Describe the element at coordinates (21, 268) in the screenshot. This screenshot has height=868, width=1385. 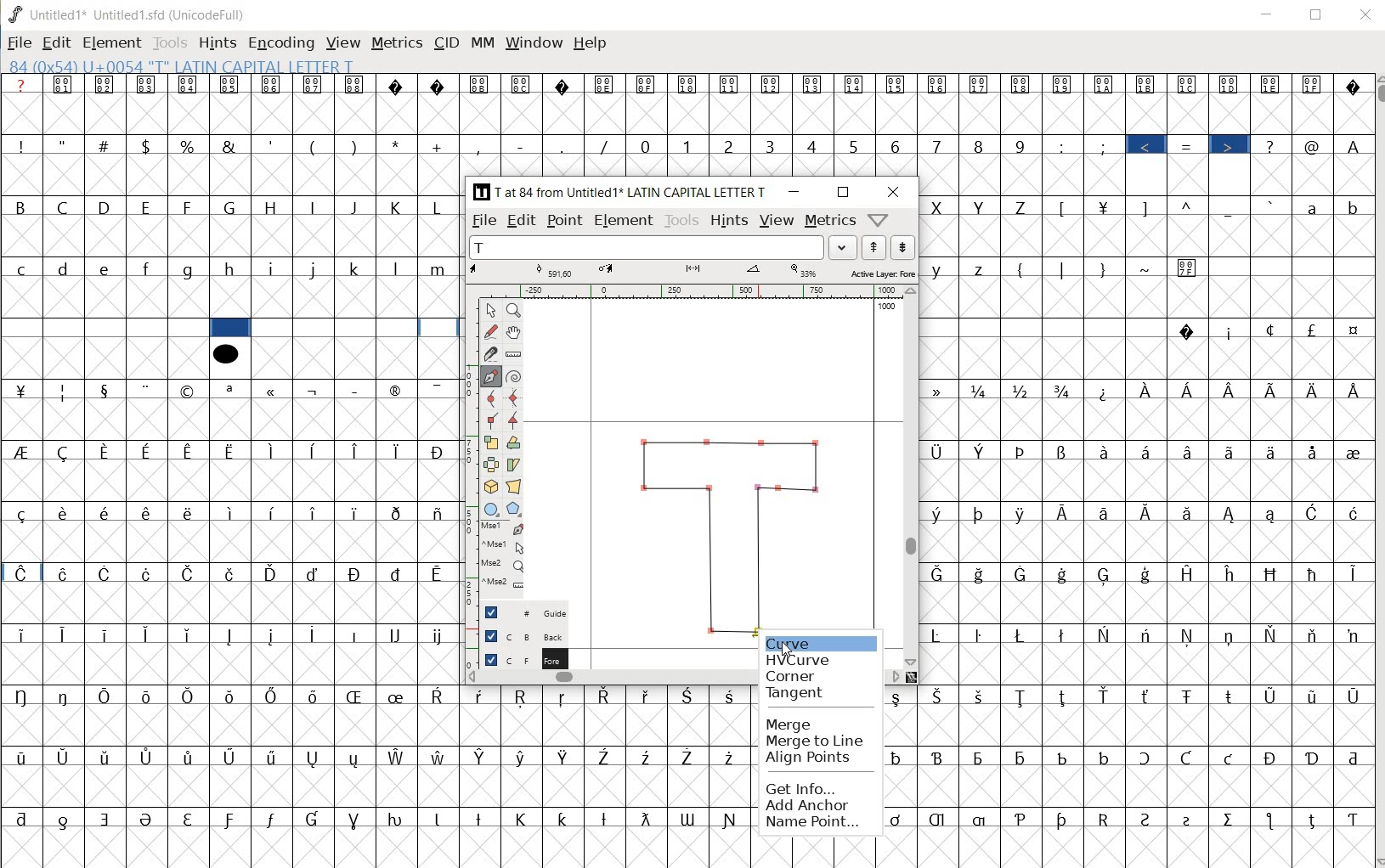
I see `c` at that location.